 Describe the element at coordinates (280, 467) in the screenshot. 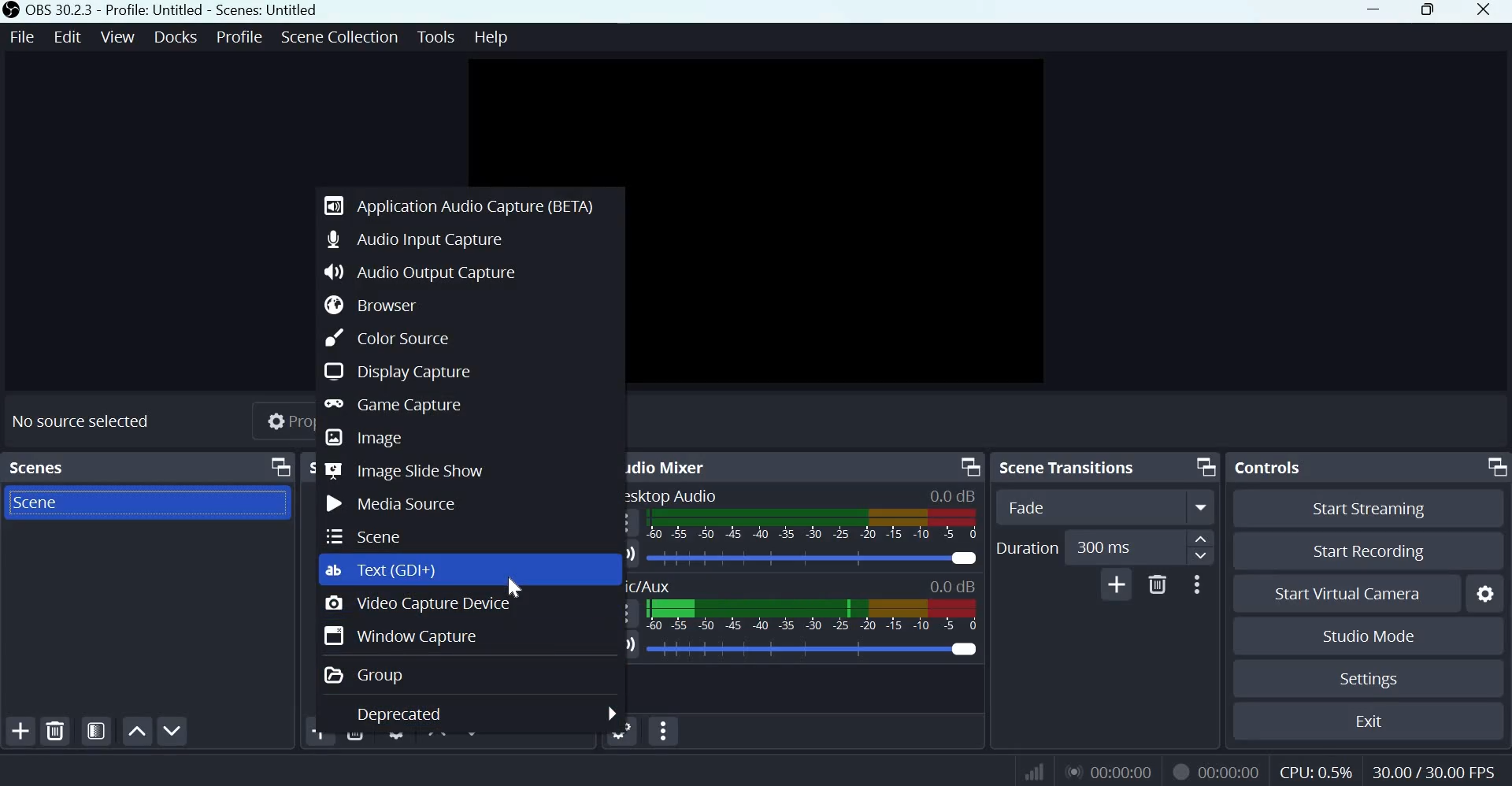

I see ` Dock Options icon` at that location.